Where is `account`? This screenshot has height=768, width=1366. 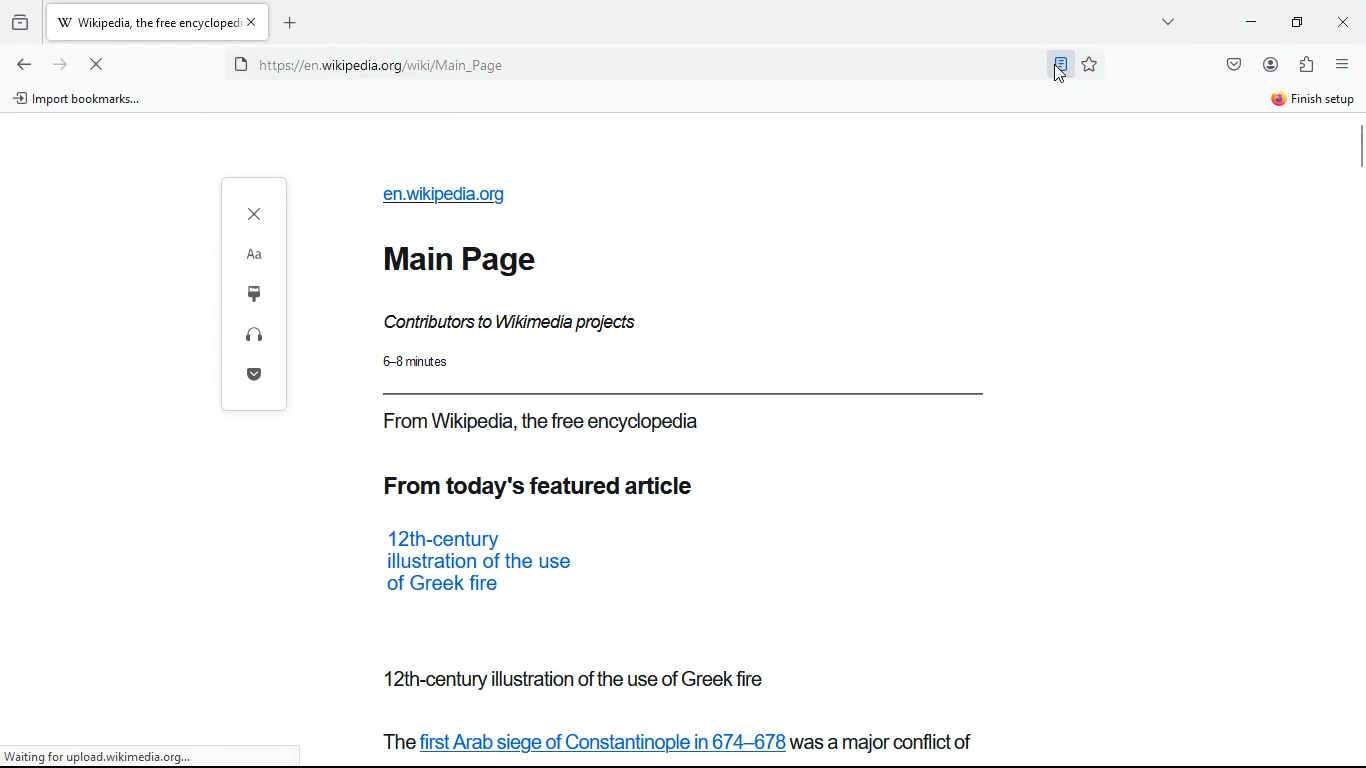 account is located at coordinates (1270, 62).